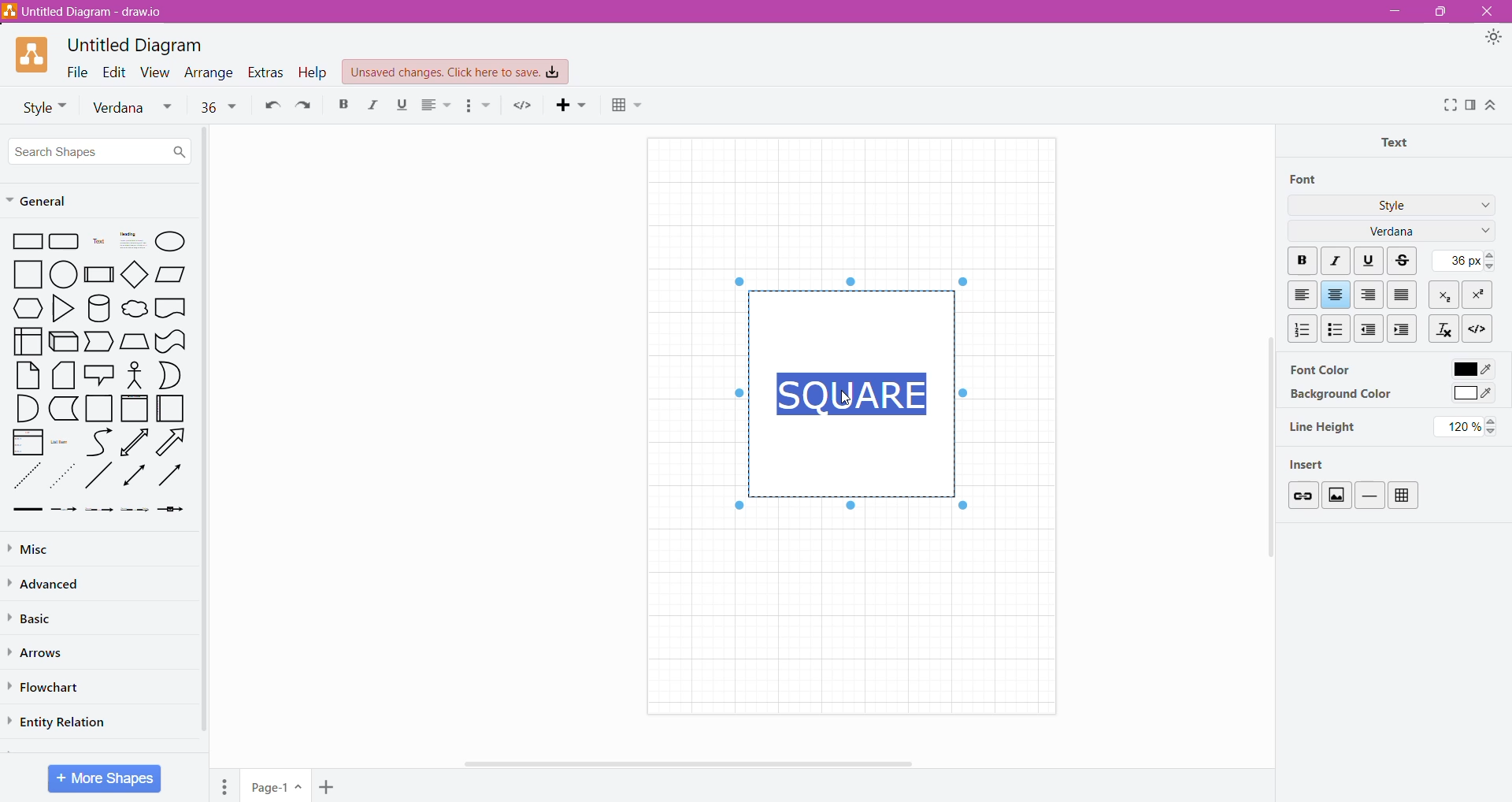 This screenshot has height=802, width=1512. What do you see at coordinates (1299, 329) in the screenshot?
I see `Numbered List` at bounding box center [1299, 329].